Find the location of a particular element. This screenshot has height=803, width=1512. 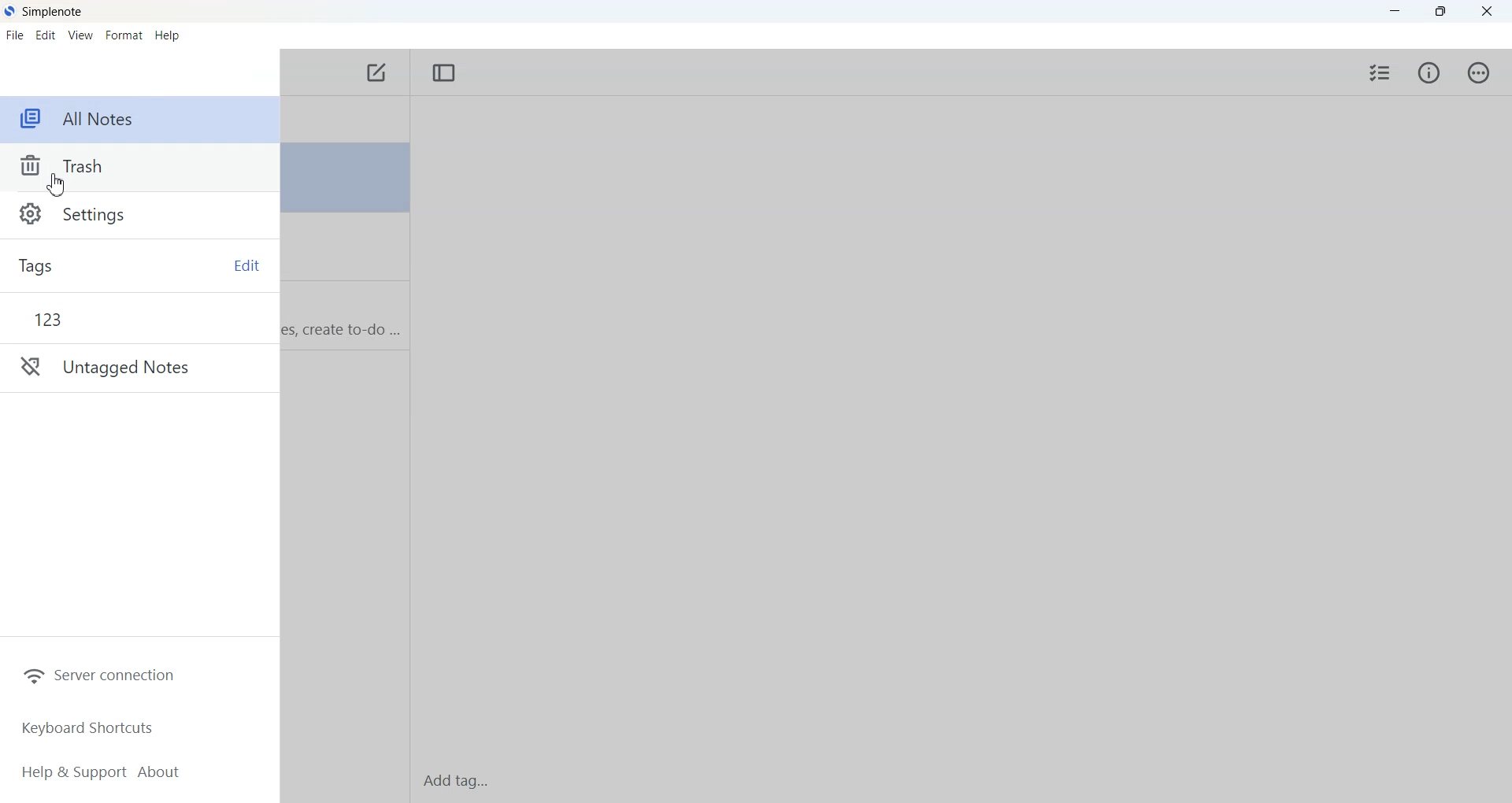

Note is located at coordinates (344, 179).